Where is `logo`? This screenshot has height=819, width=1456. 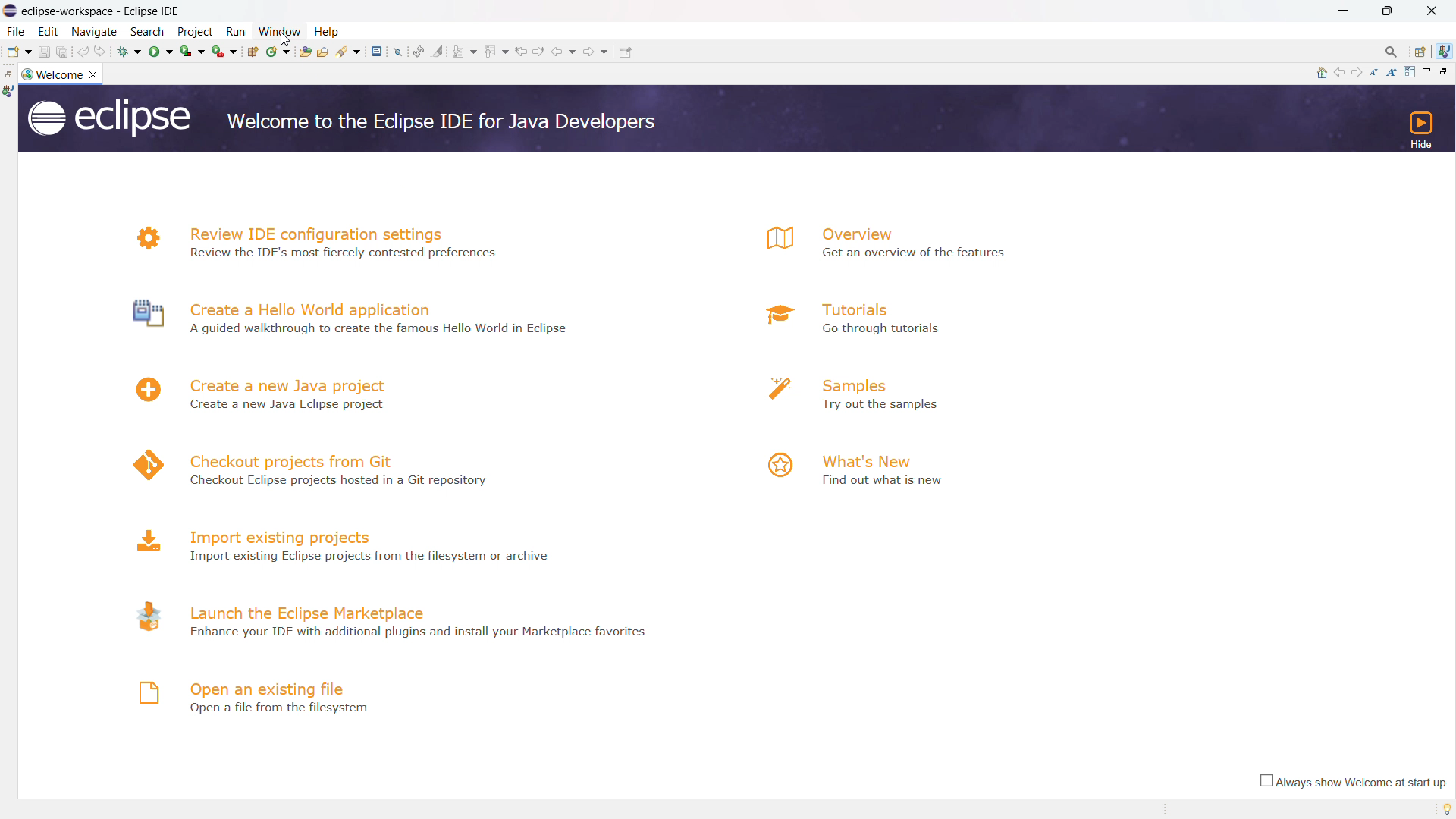 logo is located at coordinates (775, 390).